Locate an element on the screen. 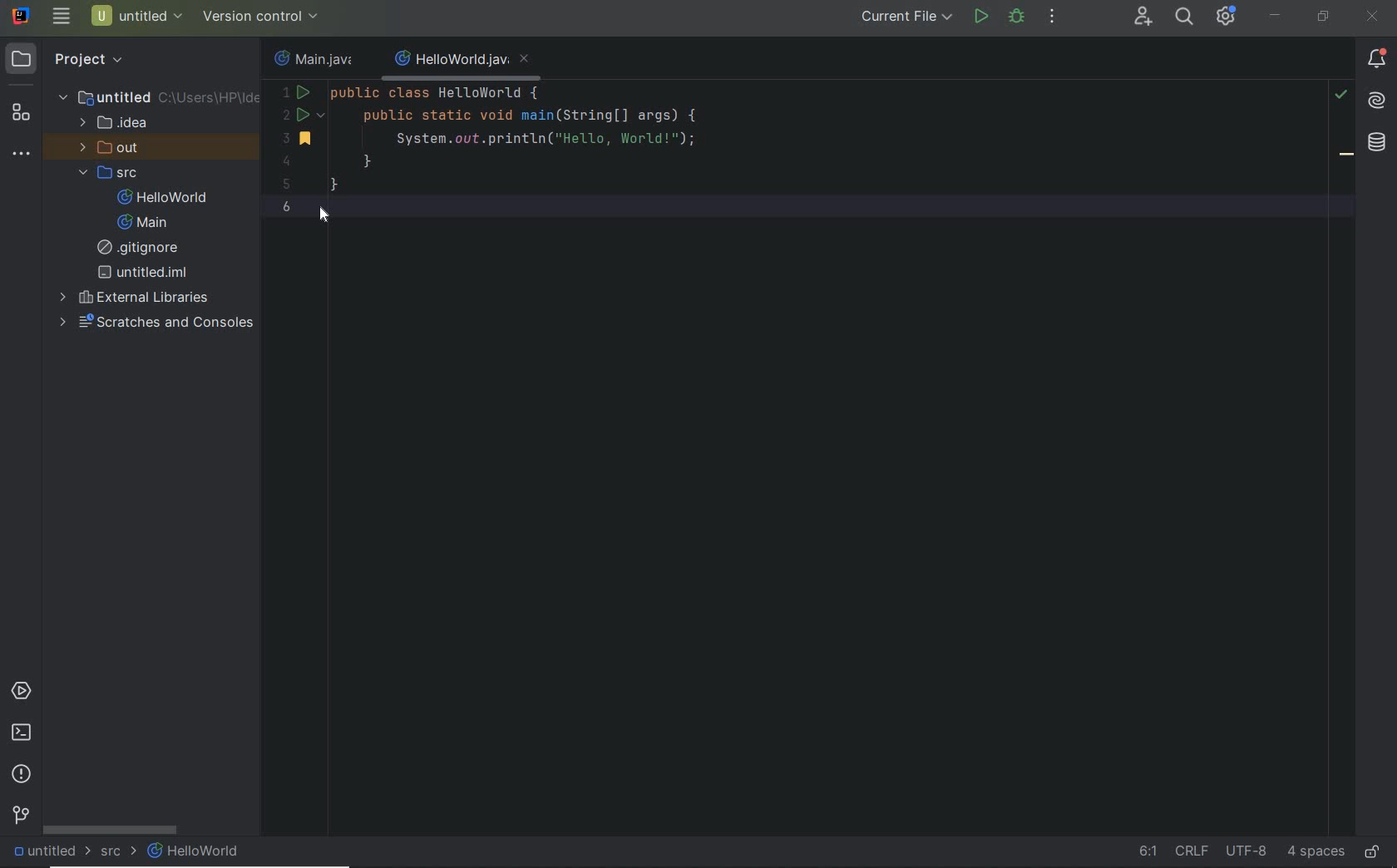 The height and width of the screenshot is (868, 1397). debug is located at coordinates (1016, 16).